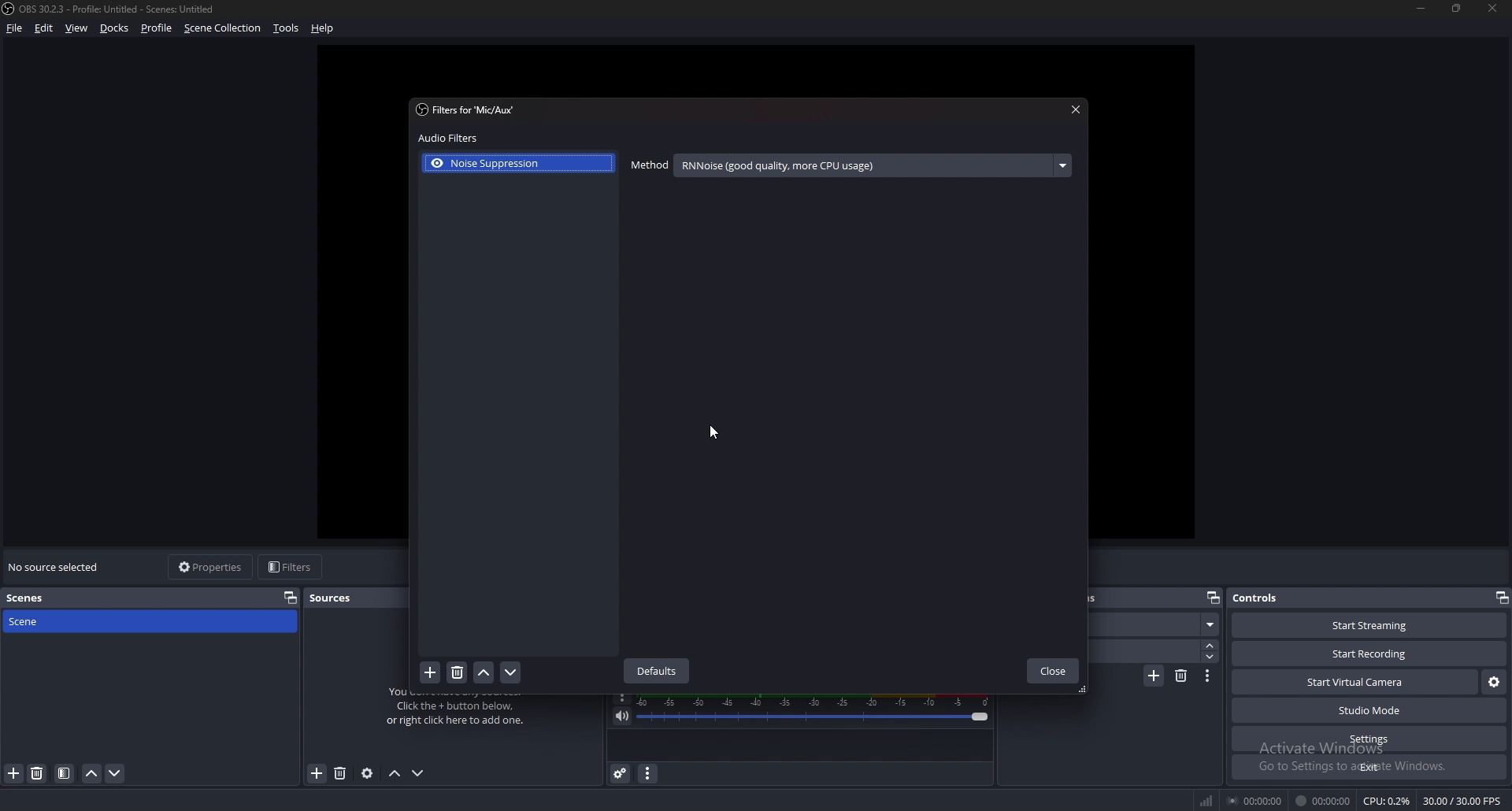 Image resolution: width=1512 pixels, height=811 pixels. Describe the element at coordinates (341, 597) in the screenshot. I see `sources` at that location.